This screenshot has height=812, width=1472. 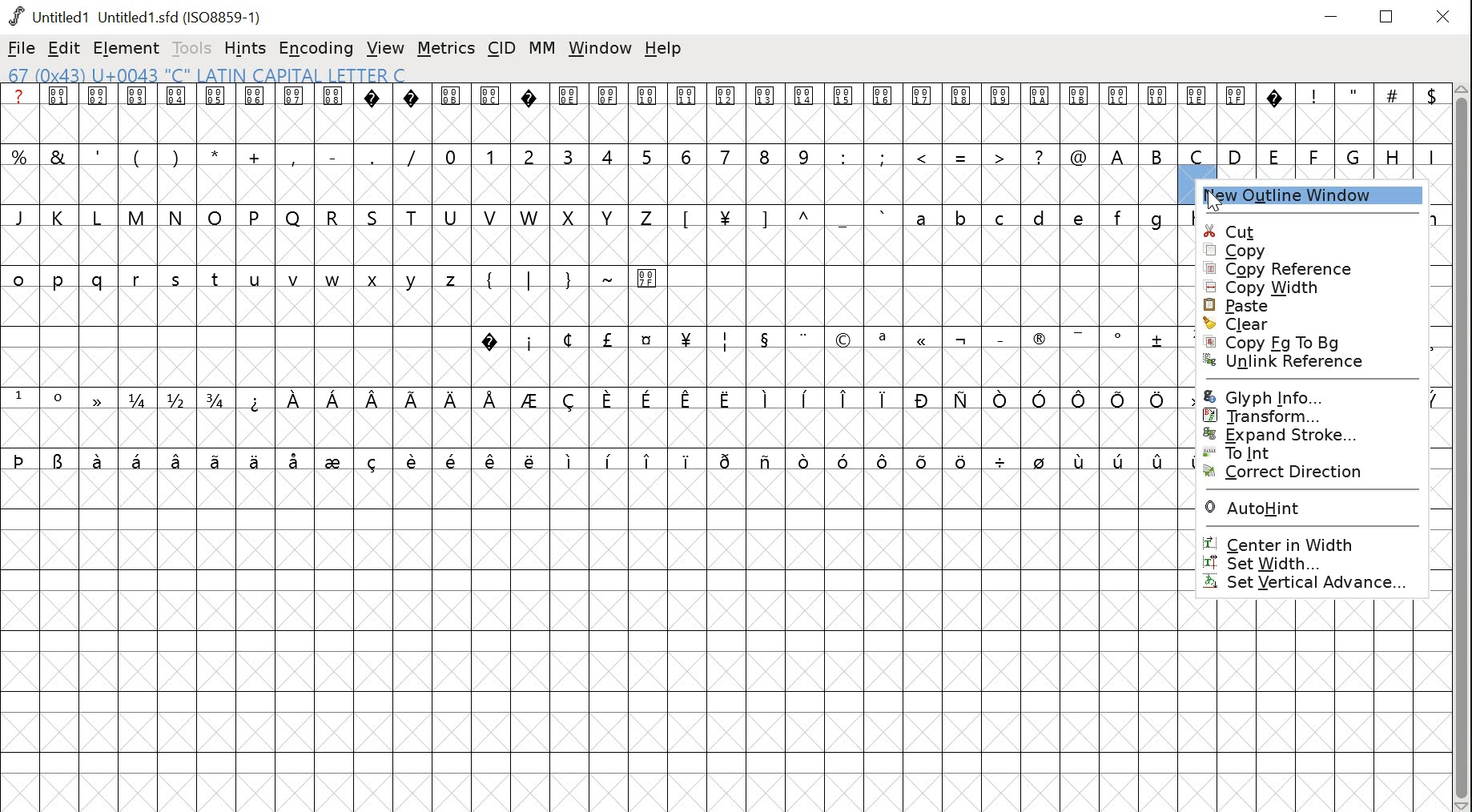 What do you see at coordinates (138, 16) in the screenshot?
I see `Untitled1 Untitled 1.sfd (IS08859-1)` at bounding box center [138, 16].